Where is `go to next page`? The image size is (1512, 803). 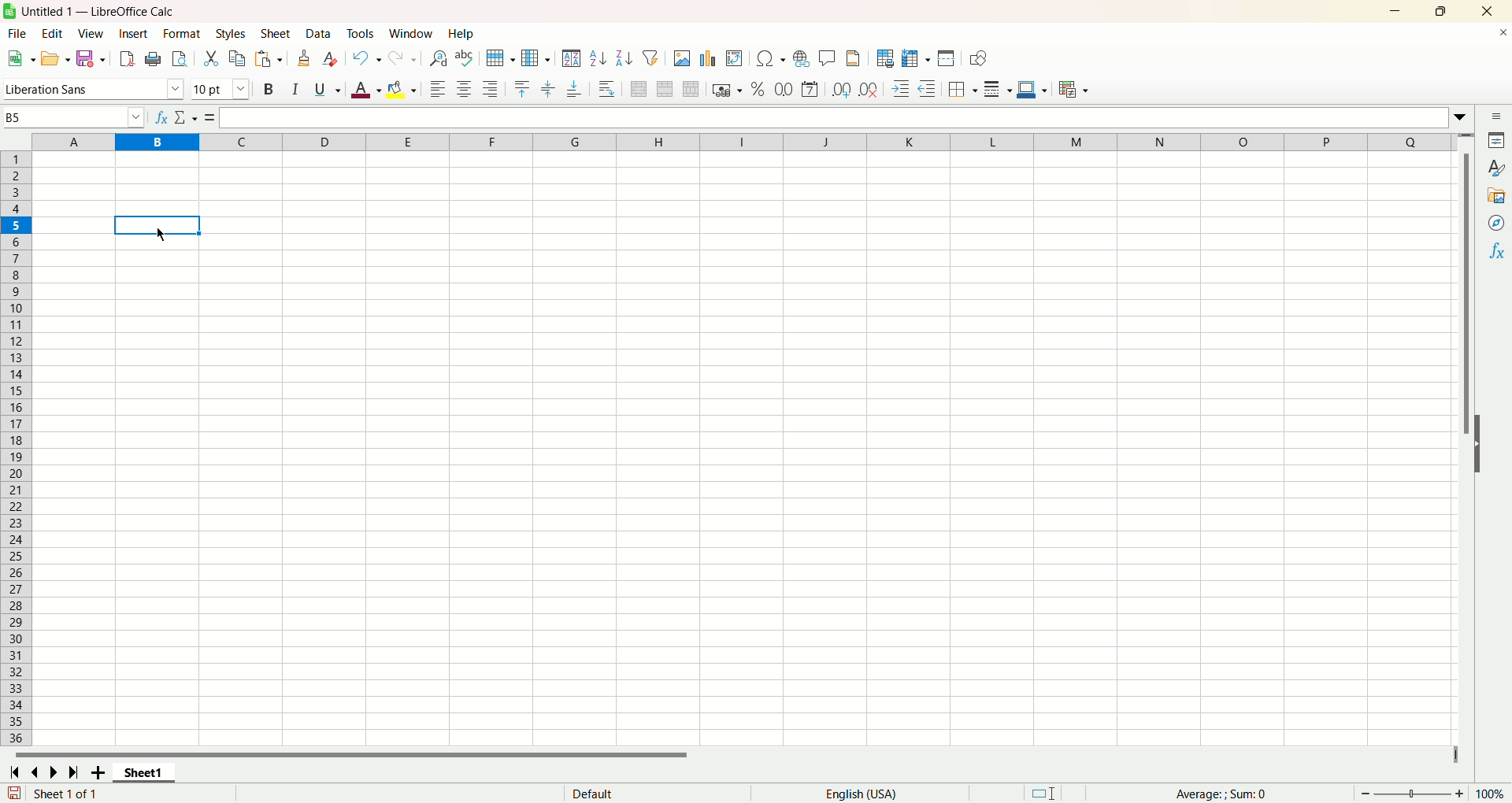
go to next page is located at coordinates (54, 773).